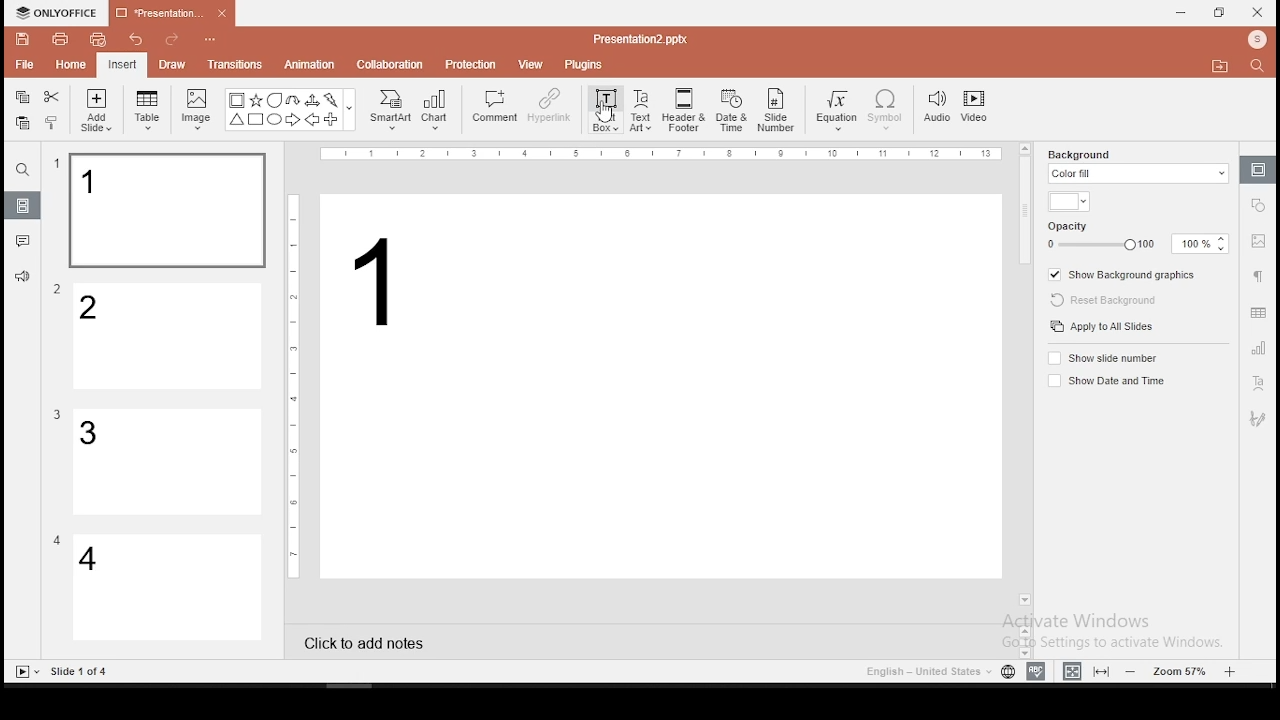  I want to click on undo, so click(136, 41).